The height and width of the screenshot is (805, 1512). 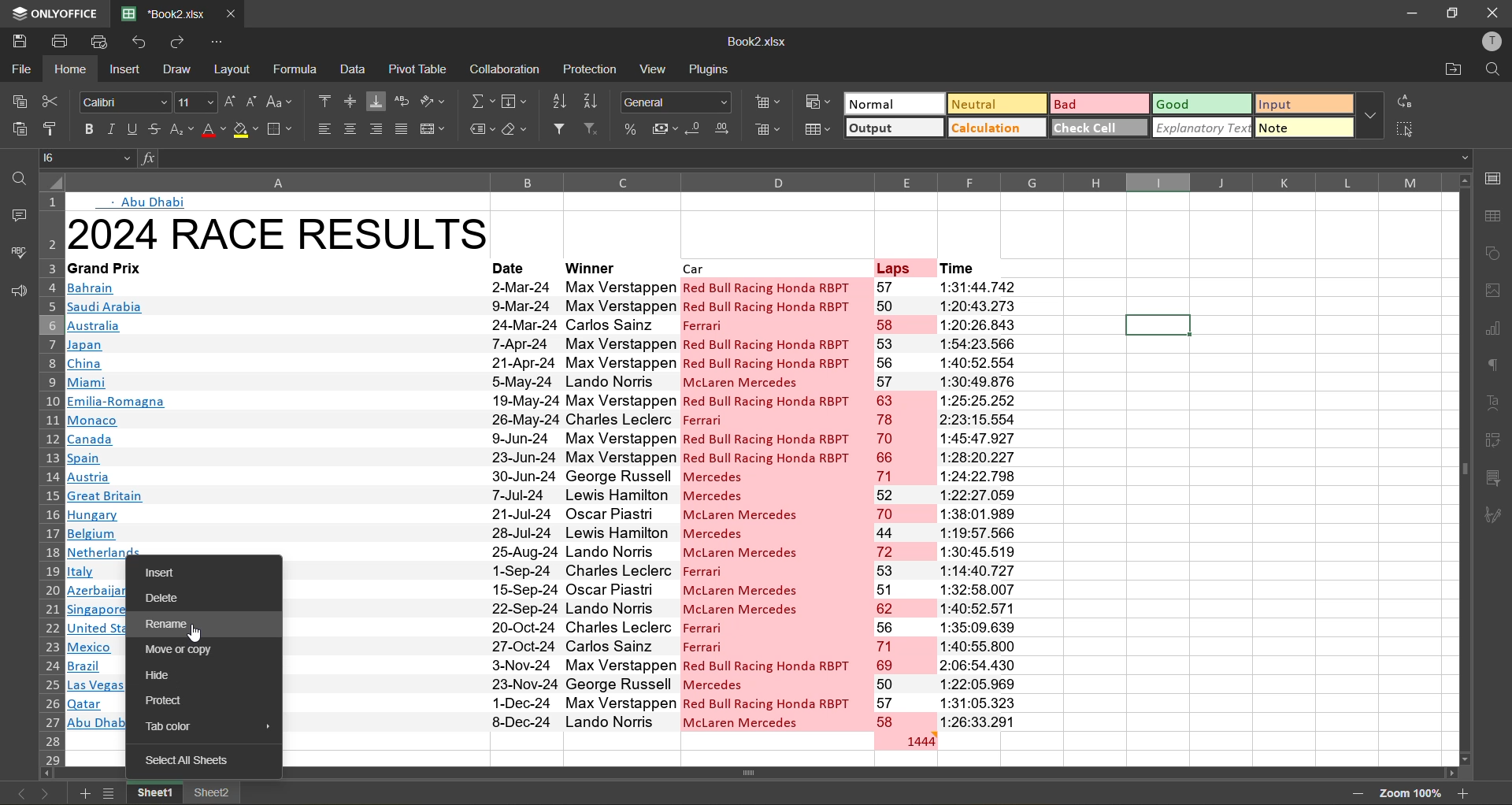 What do you see at coordinates (180, 131) in the screenshot?
I see `sub/superscript` at bounding box center [180, 131].